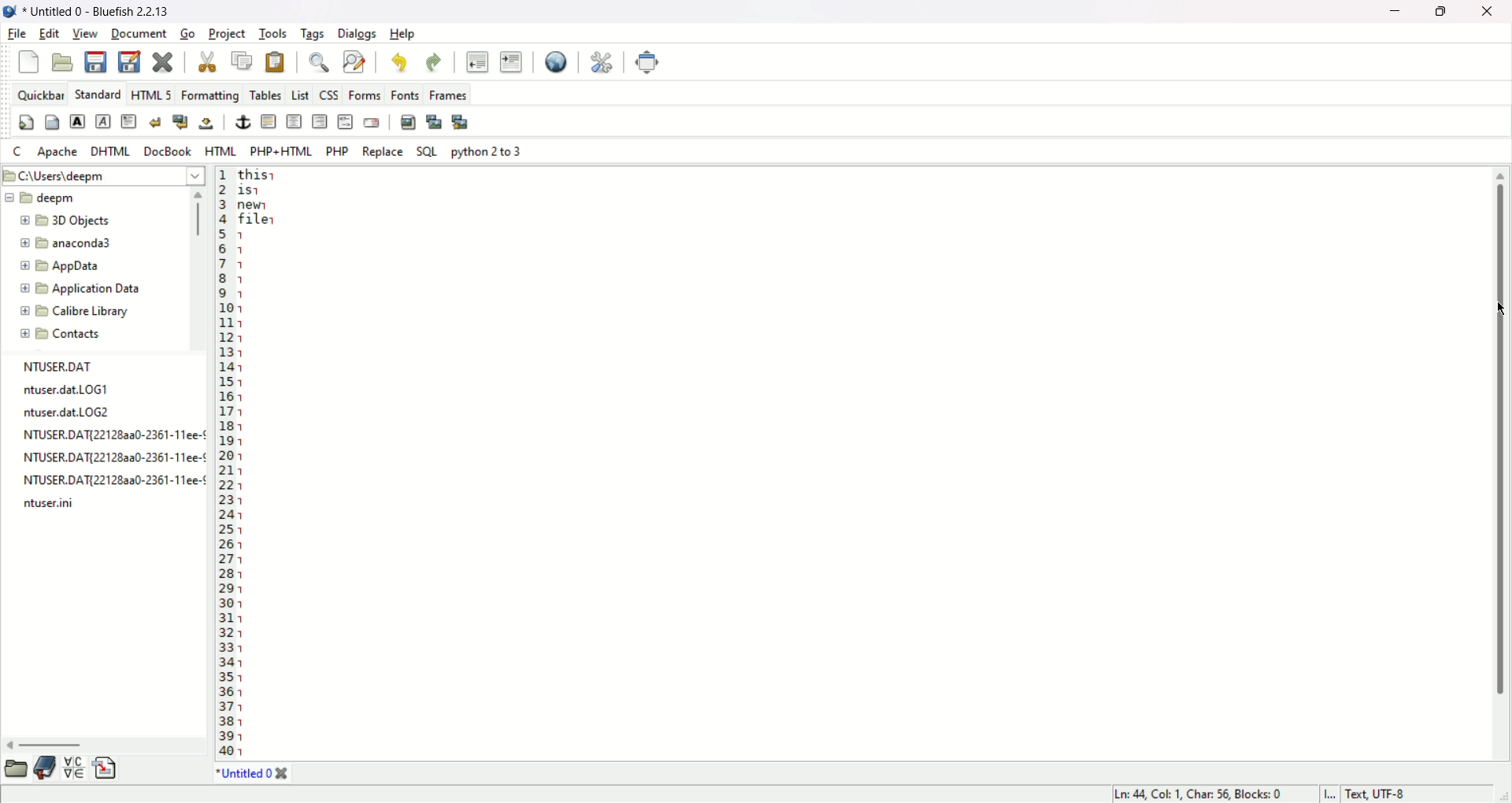  Describe the element at coordinates (46, 767) in the screenshot. I see `bookmarks` at that location.